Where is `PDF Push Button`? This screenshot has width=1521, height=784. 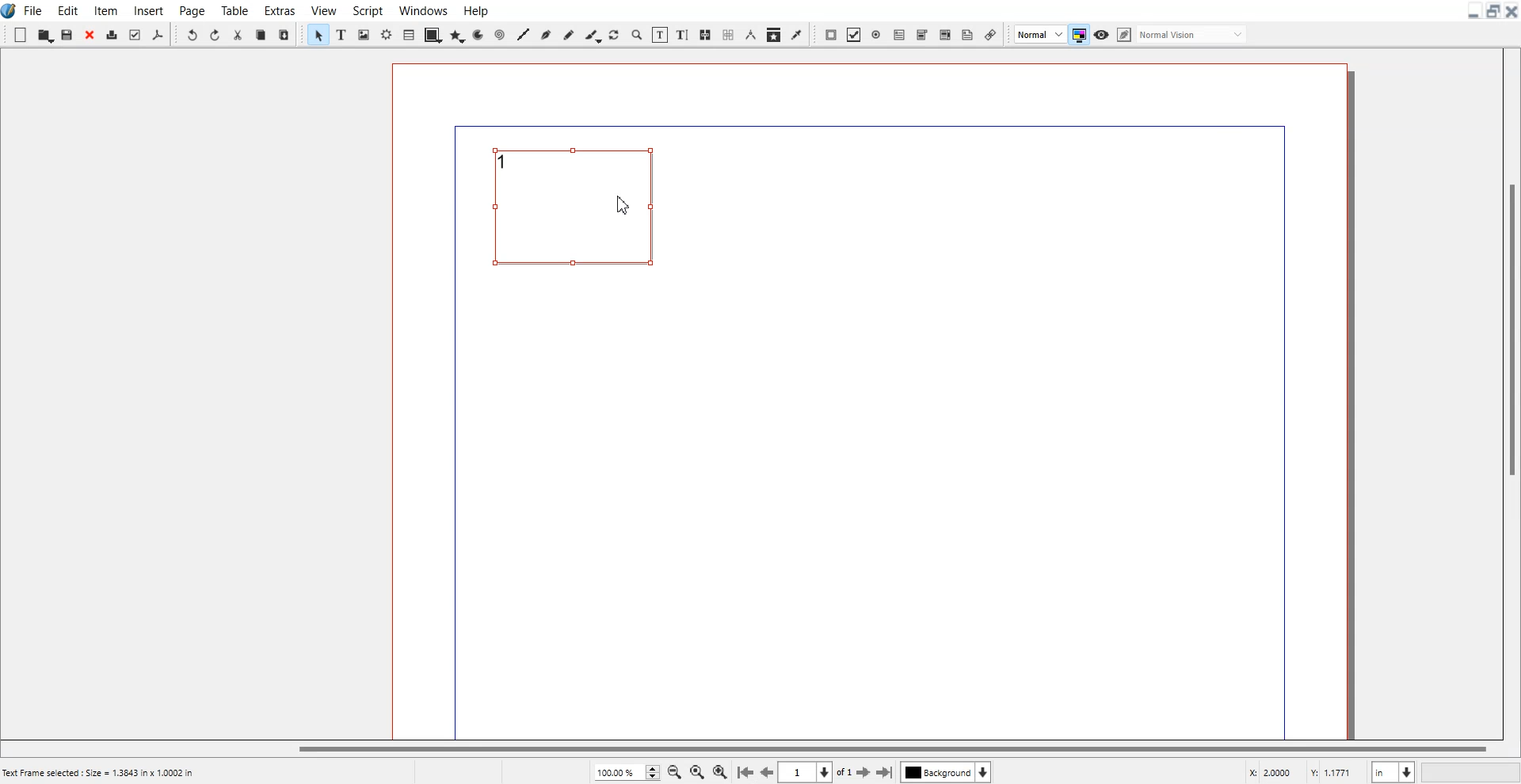 PDF Push Button is located at coordinates (830, 35).